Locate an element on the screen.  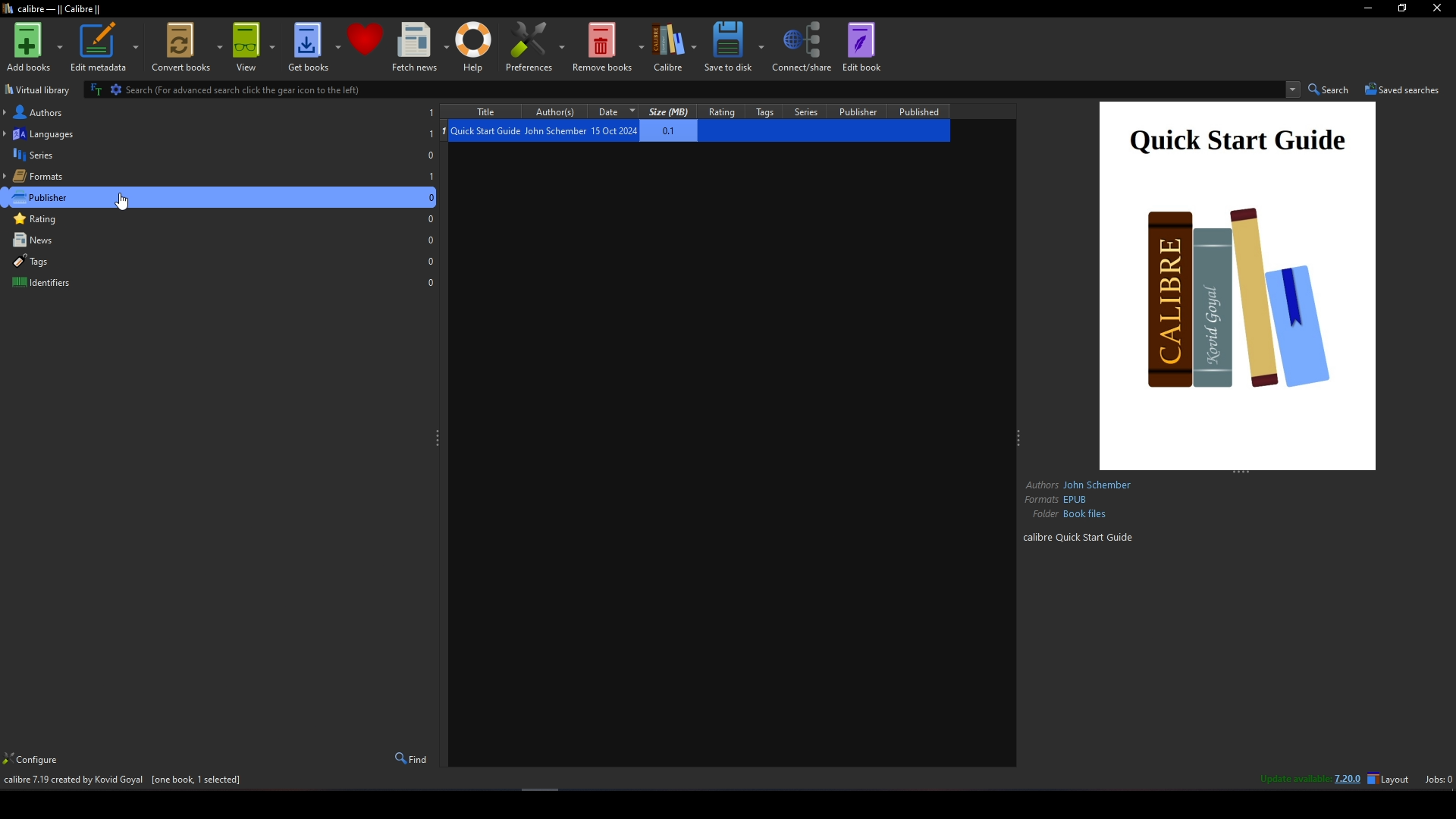
Add books is located at coordinates (34, 47).